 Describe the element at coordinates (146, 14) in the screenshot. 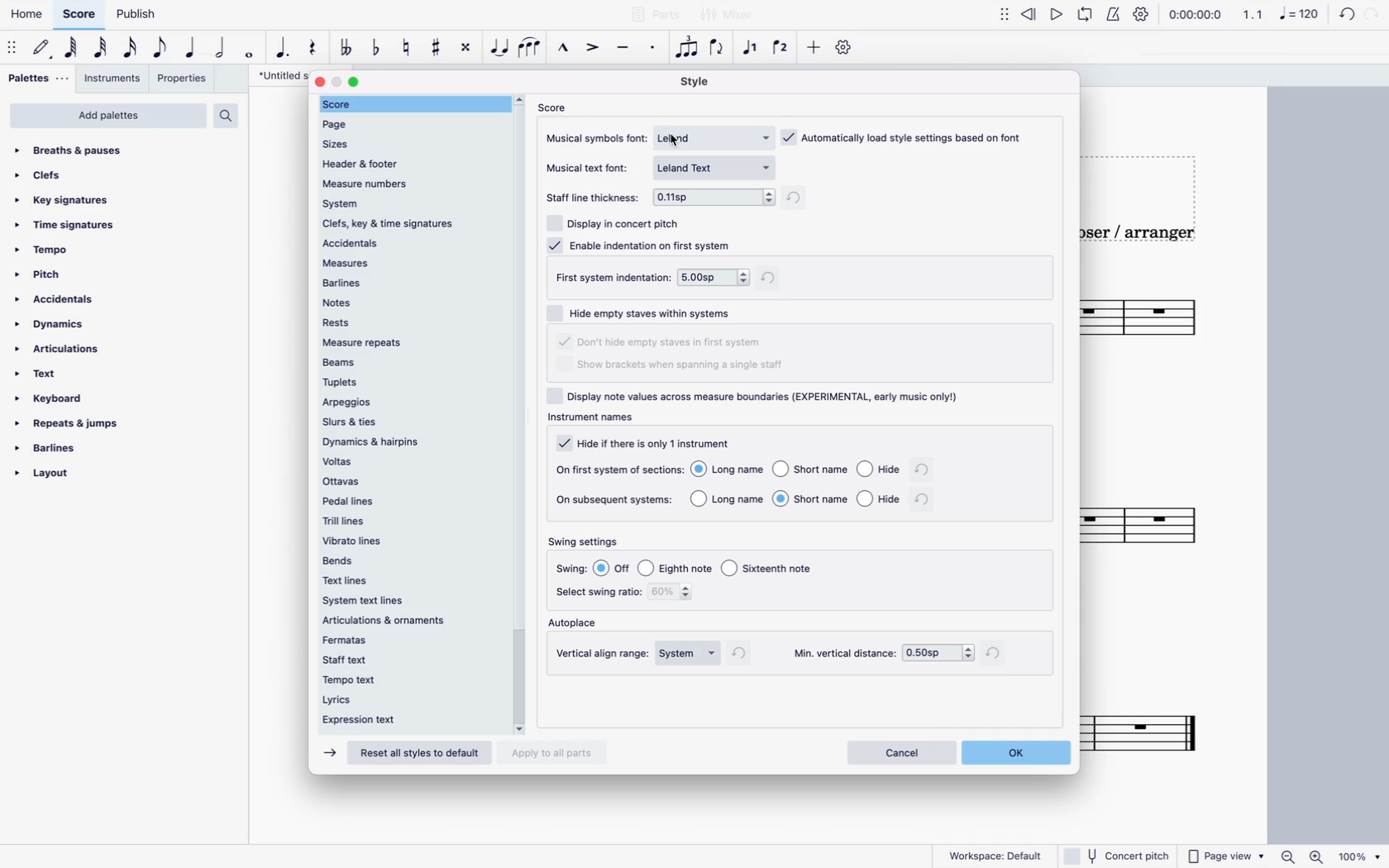

I see `Publish` at that location.